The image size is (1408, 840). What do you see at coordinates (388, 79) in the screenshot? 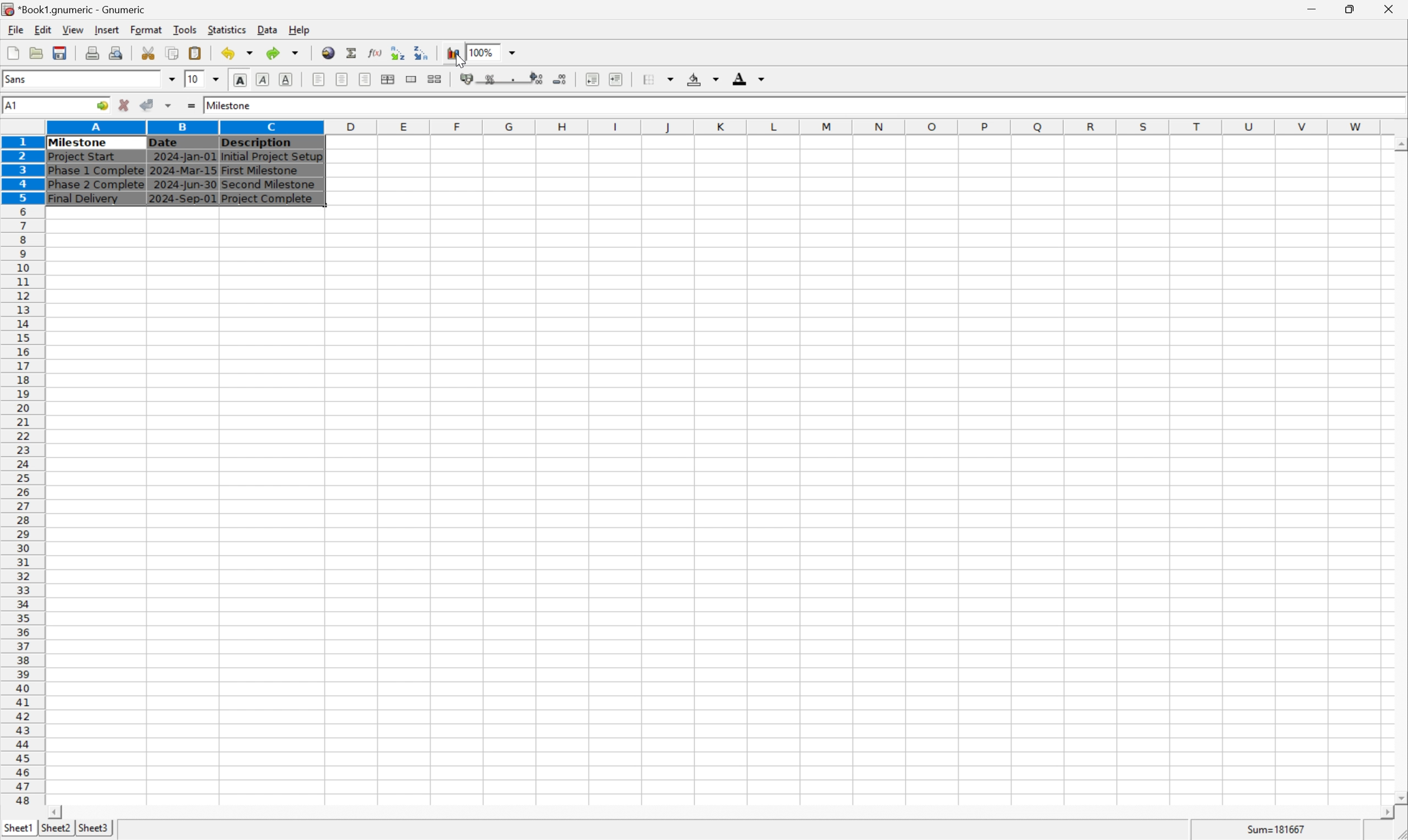
I see `center horizontally across selection` at bounding box center [388, 79].